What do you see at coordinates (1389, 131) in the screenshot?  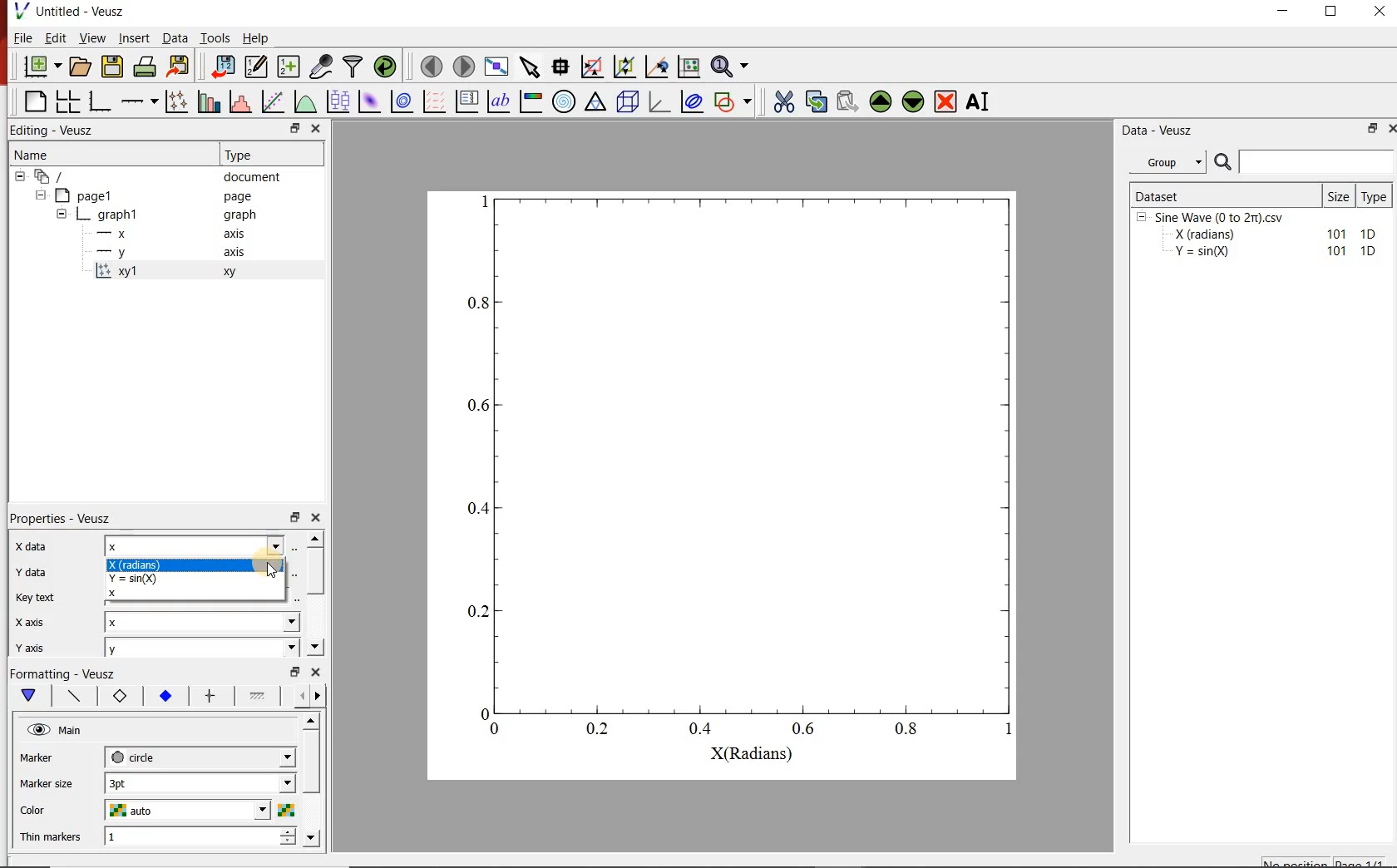 I see `Close` at bounding box center [1389, 131].